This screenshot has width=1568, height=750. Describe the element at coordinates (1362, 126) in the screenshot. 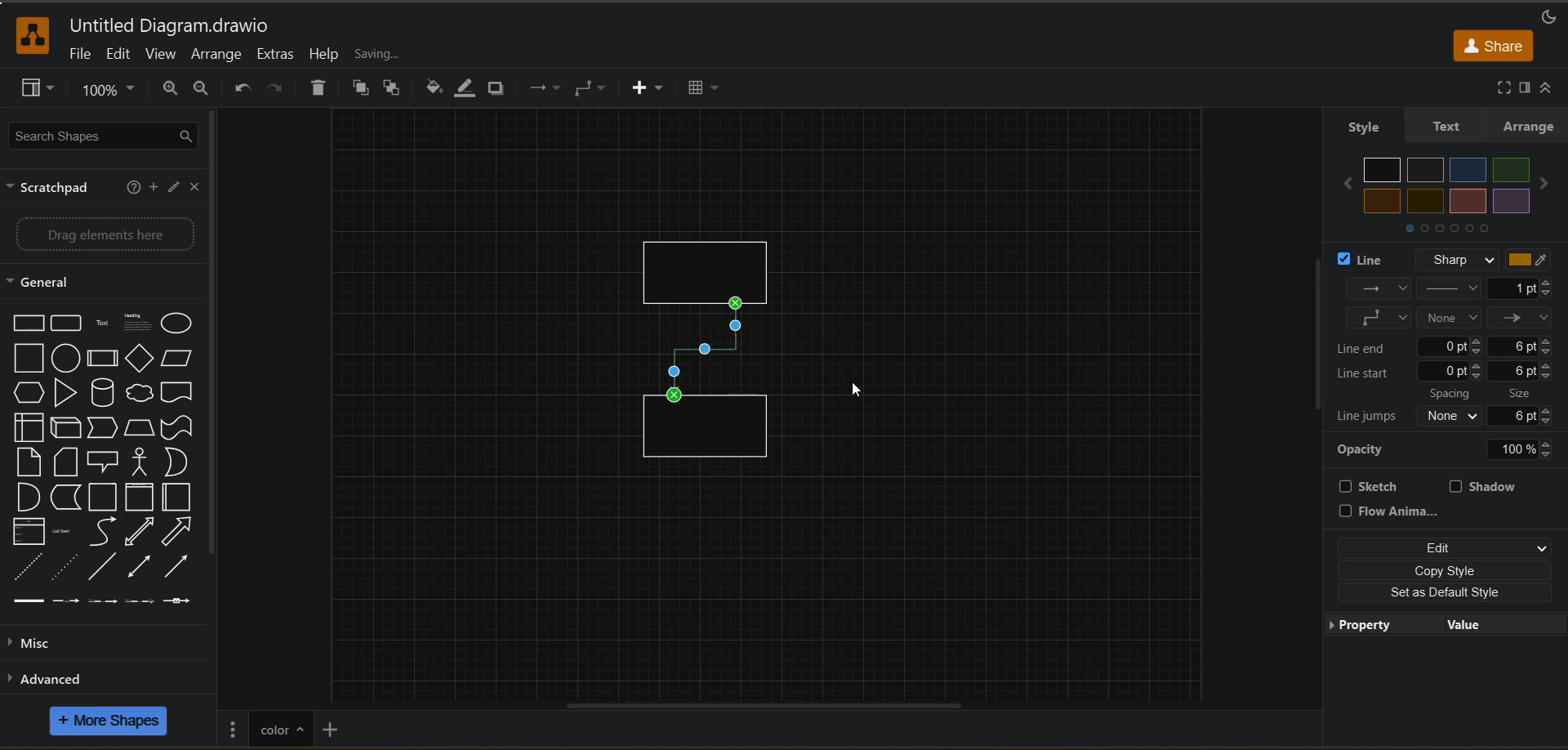

I see `style` at that location.